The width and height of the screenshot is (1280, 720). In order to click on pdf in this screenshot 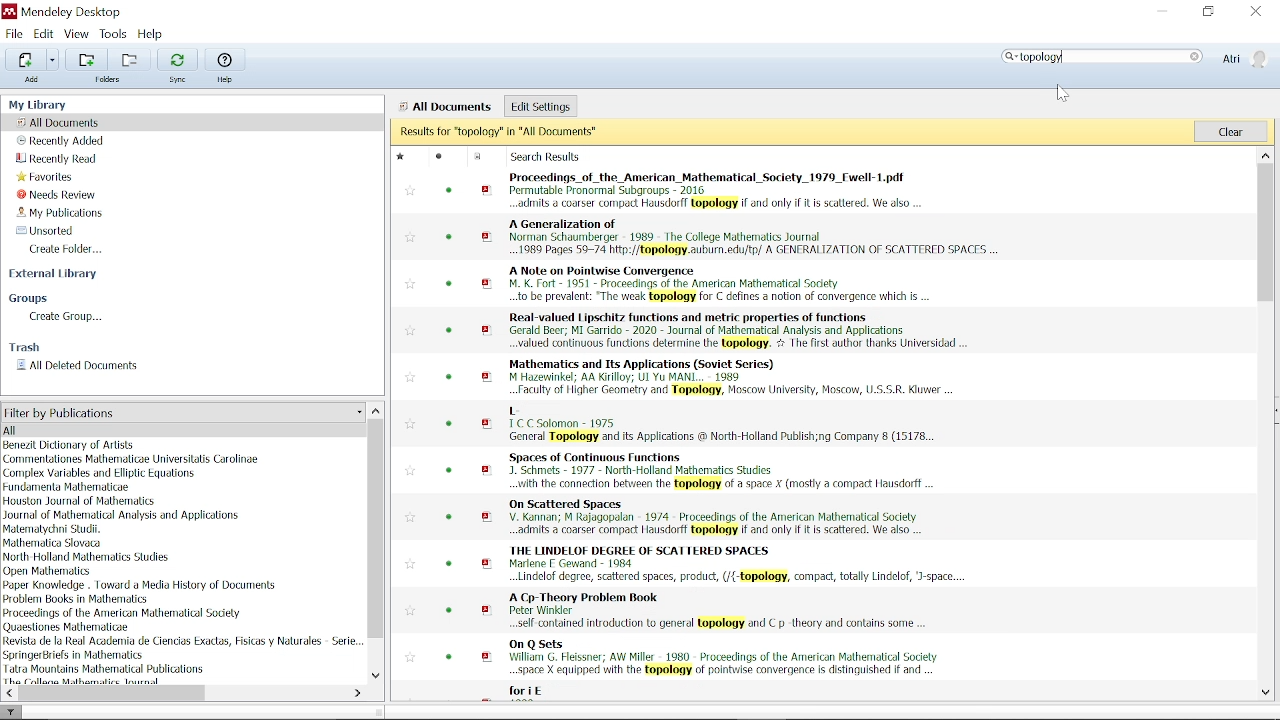, I will do `click(487, 609)`.